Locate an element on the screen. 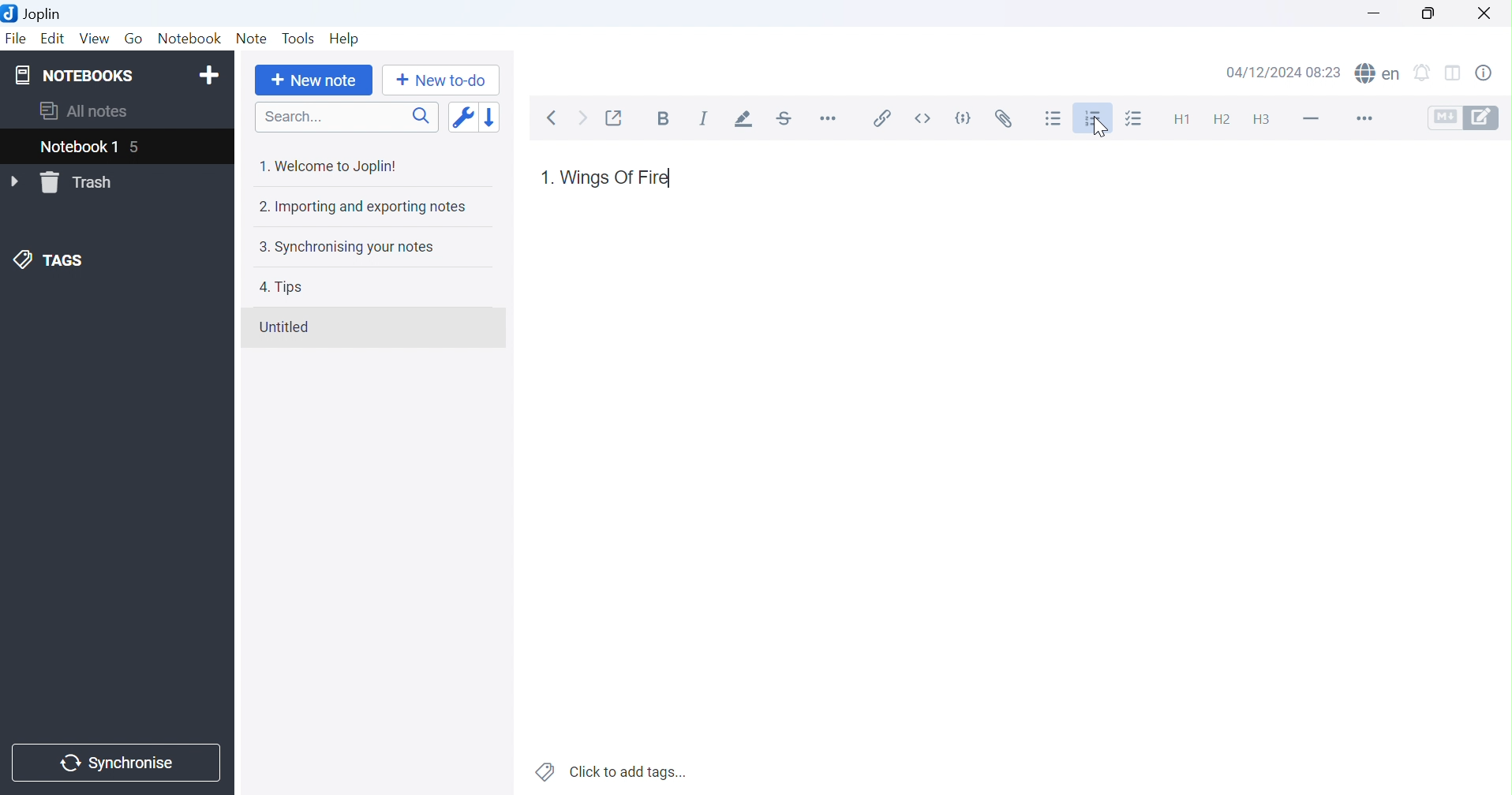  More is located at coordinates (1361, 118).